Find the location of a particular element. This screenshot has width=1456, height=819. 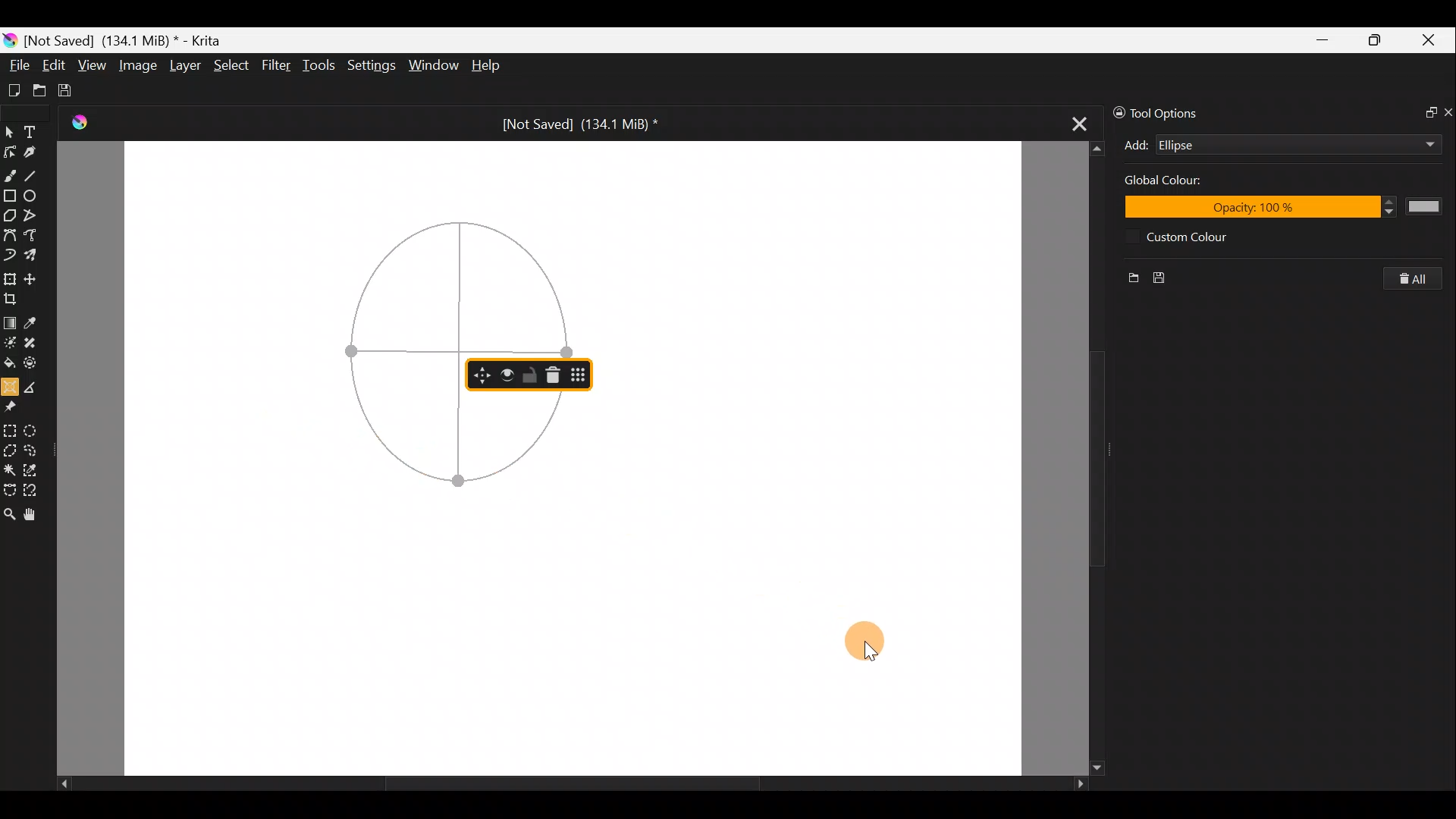

Freehand selection tool is located at coordinates (36, 449).